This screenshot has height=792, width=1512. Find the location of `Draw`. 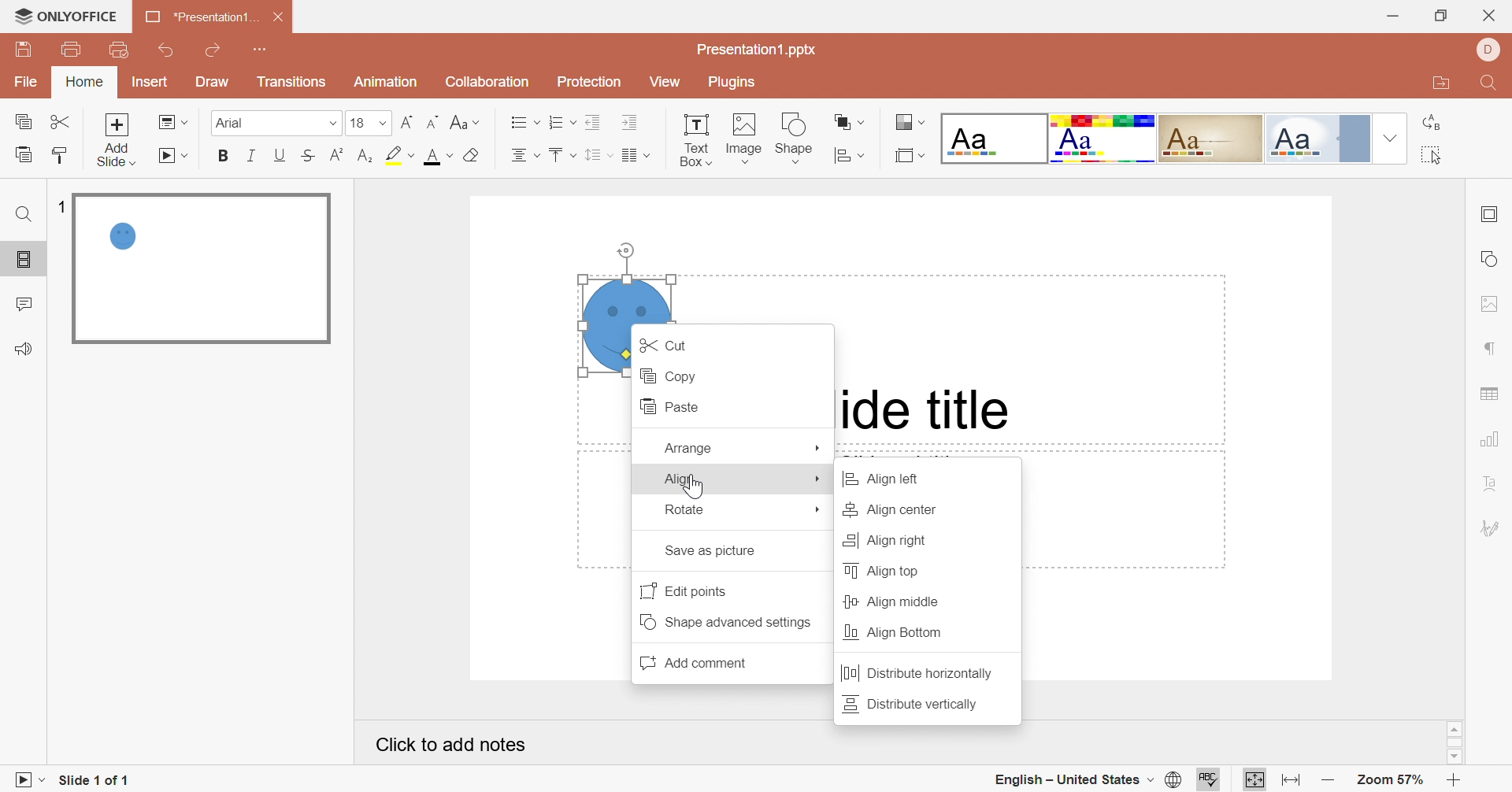

Draw is located at coordinates (213, 83).